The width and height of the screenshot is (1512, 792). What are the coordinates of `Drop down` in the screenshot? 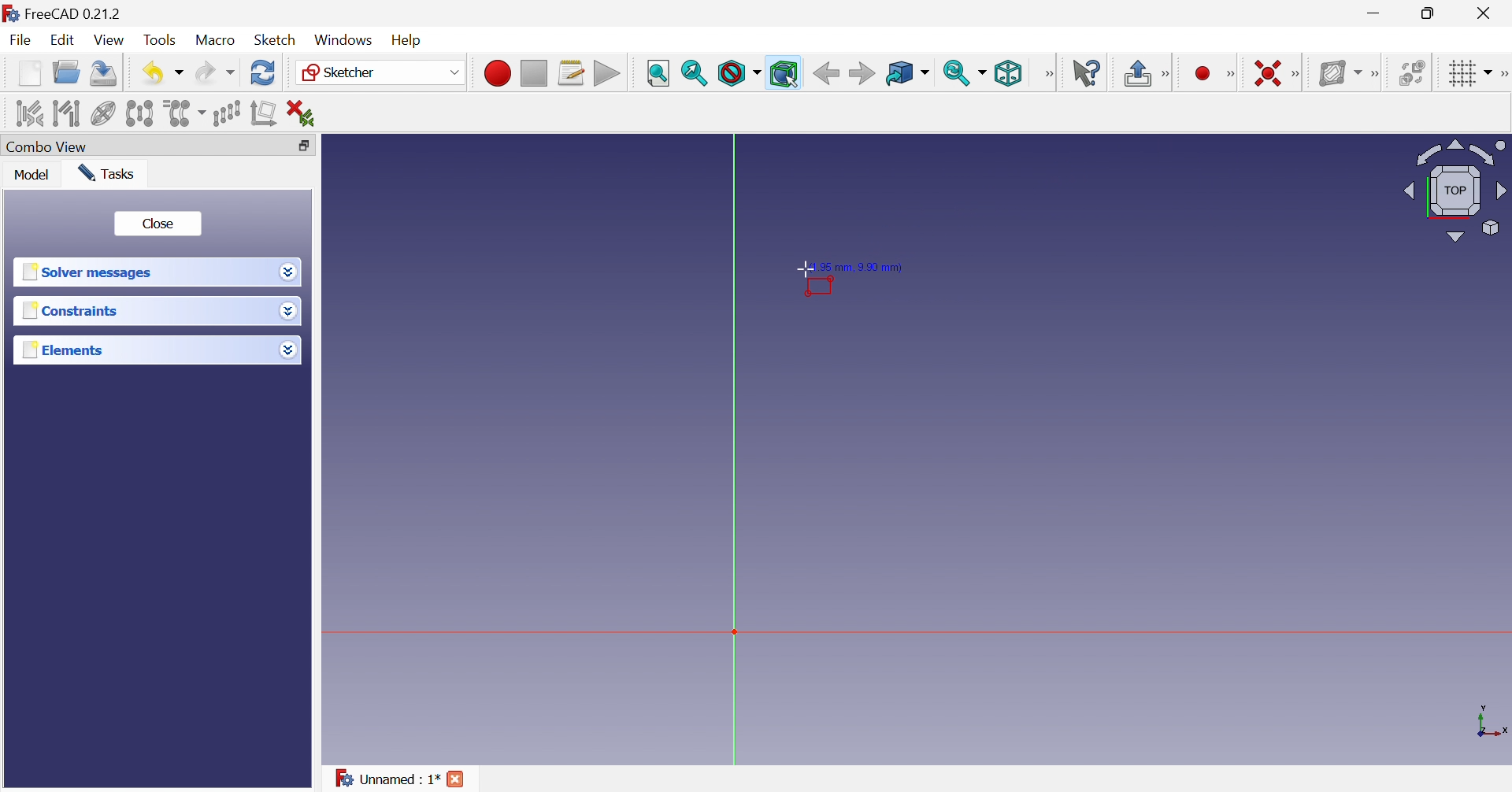 It's located at (291, 273).